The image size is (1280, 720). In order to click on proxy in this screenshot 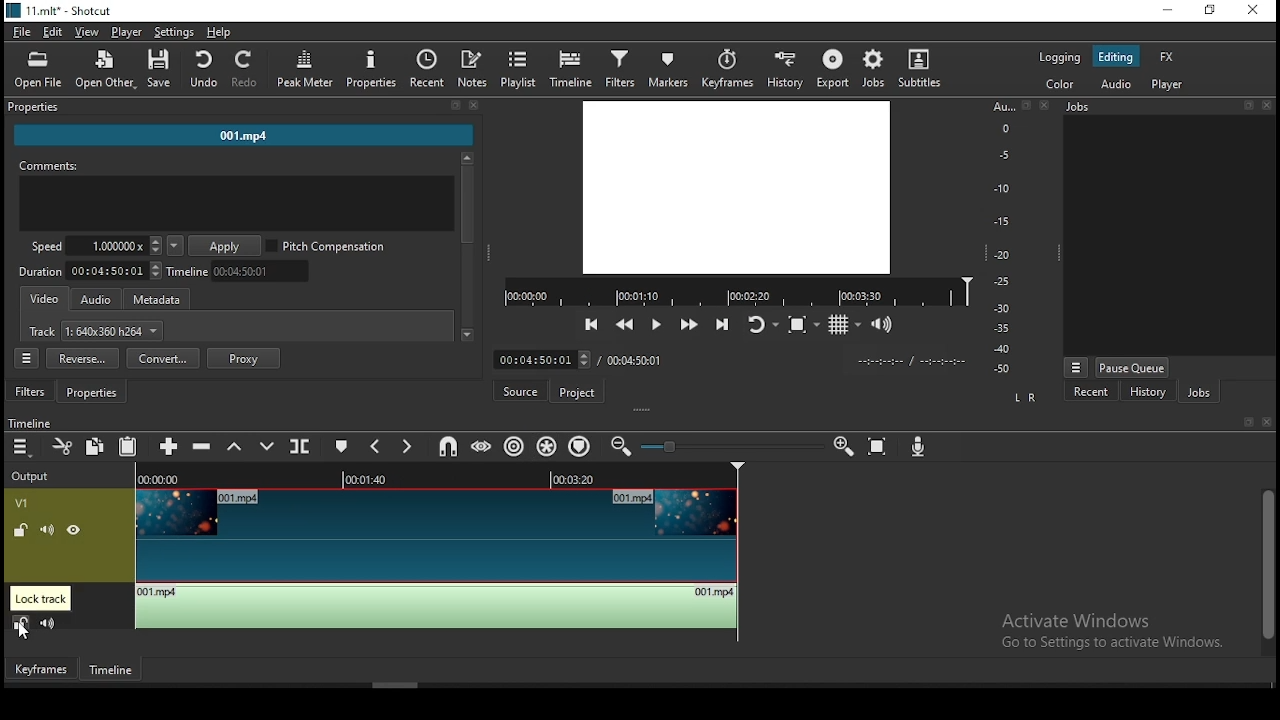, I will do `click(245, 358)`.